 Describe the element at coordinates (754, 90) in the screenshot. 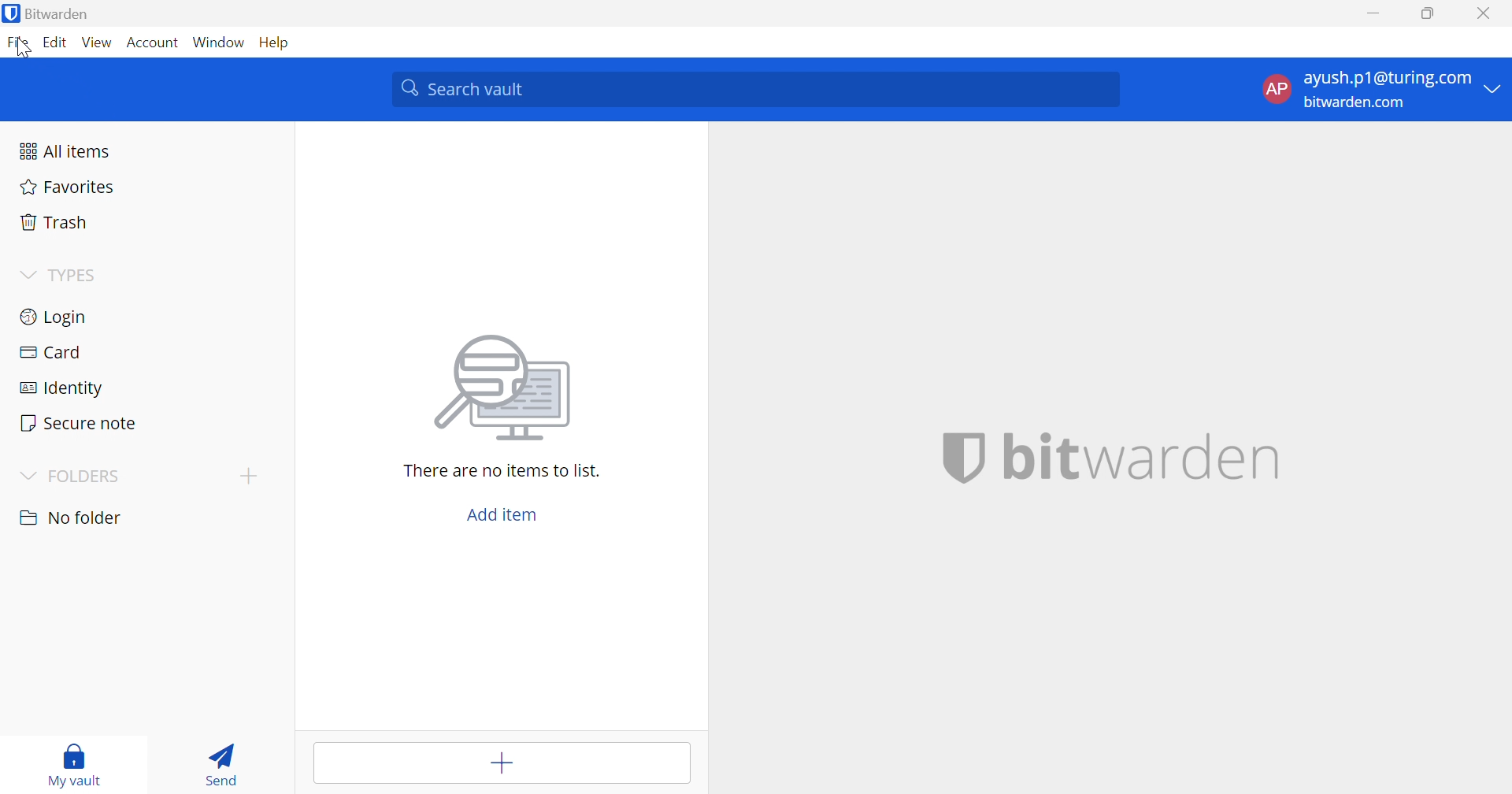

I see `Search vault` at that location.